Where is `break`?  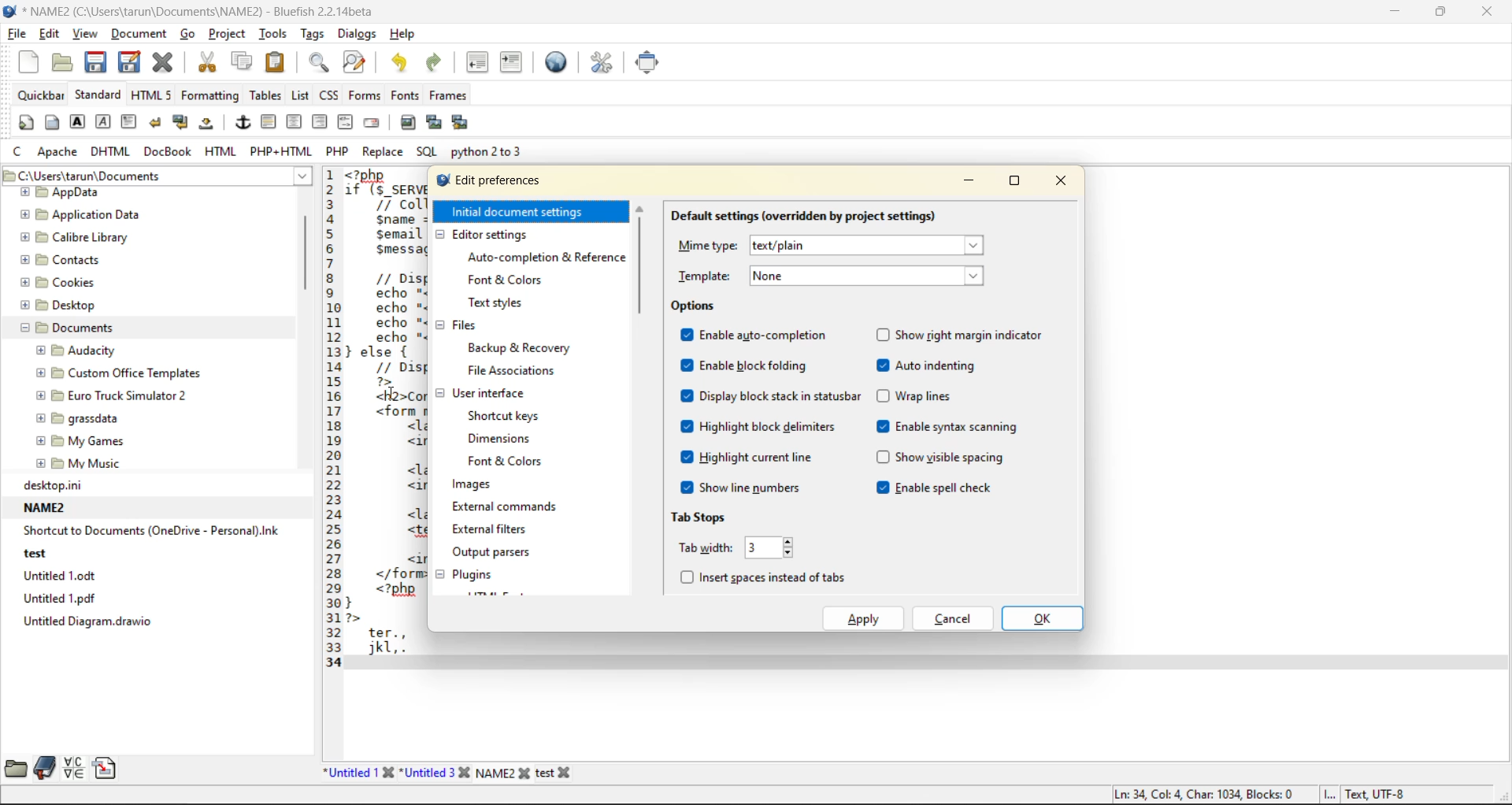
break is located at coordinates (156, 124).